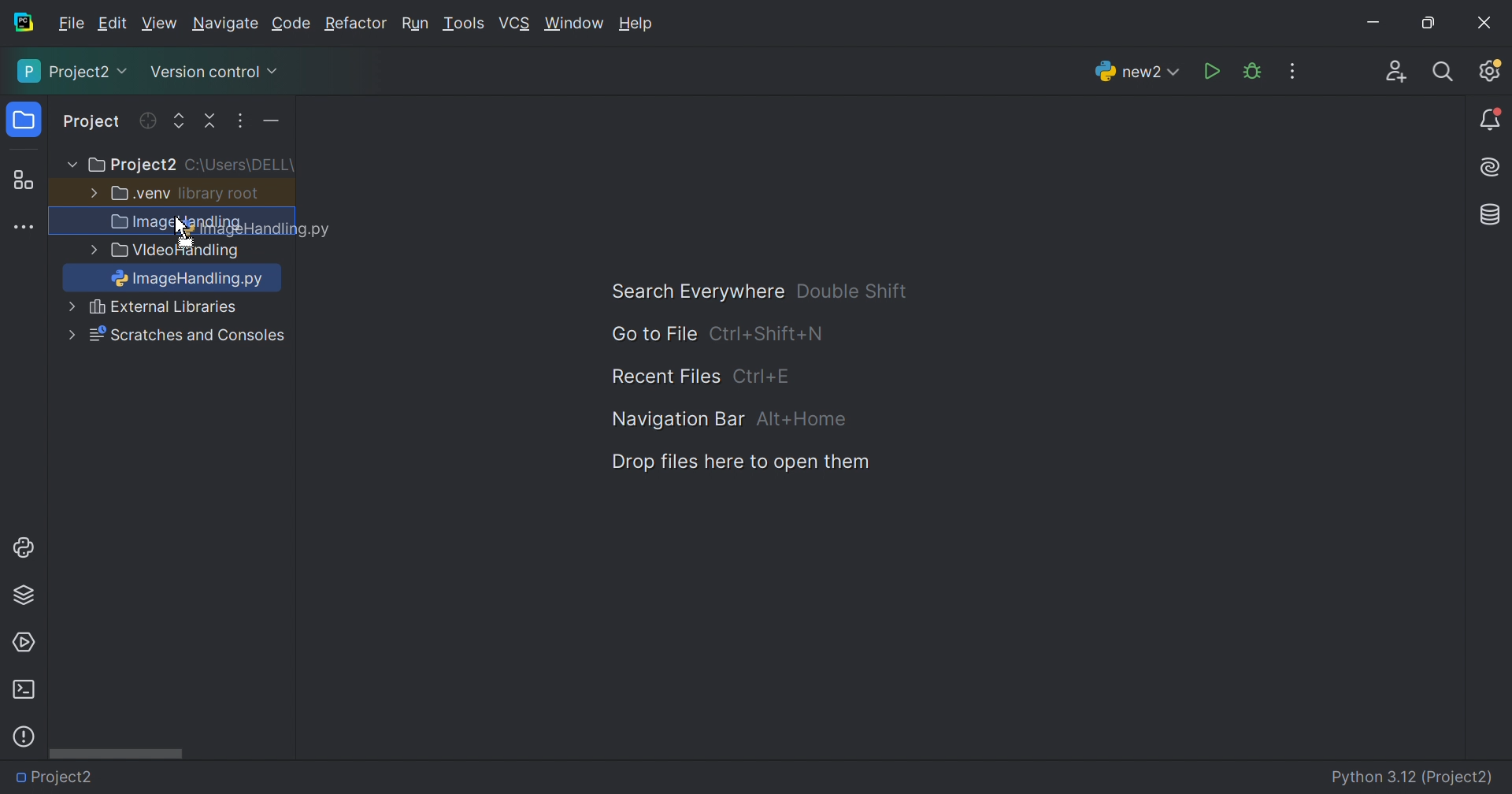 The height and width of the screenshot is (794, 1512). What do you see at coordinates (227, 26) in the screenshot?
I see `Navigate` at bounding box center [227, 26].